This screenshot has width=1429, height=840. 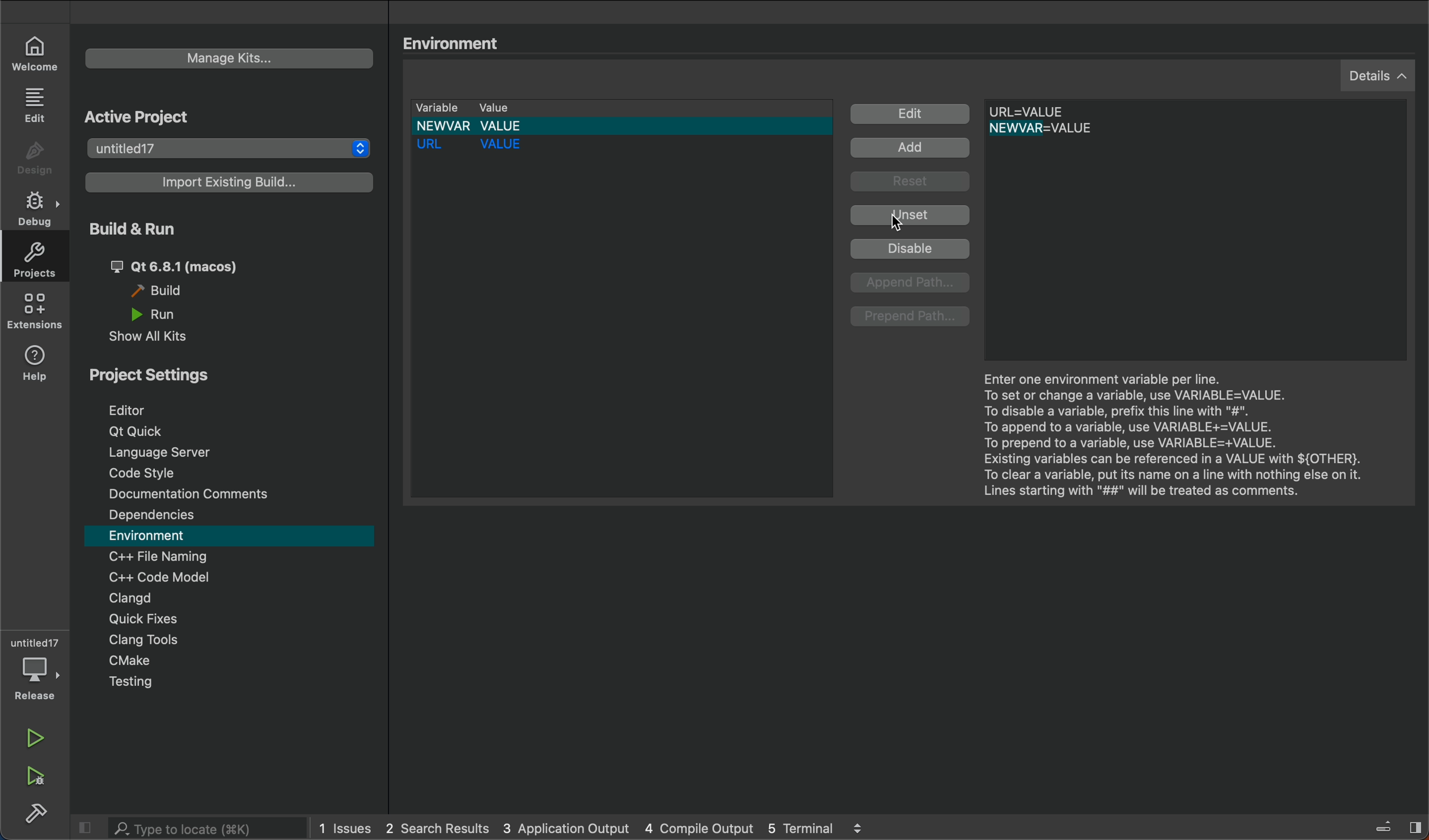 What do you see at coordinates (1374, 78) in the screenshot?
I see `details` at bounding box center [1374, 78].